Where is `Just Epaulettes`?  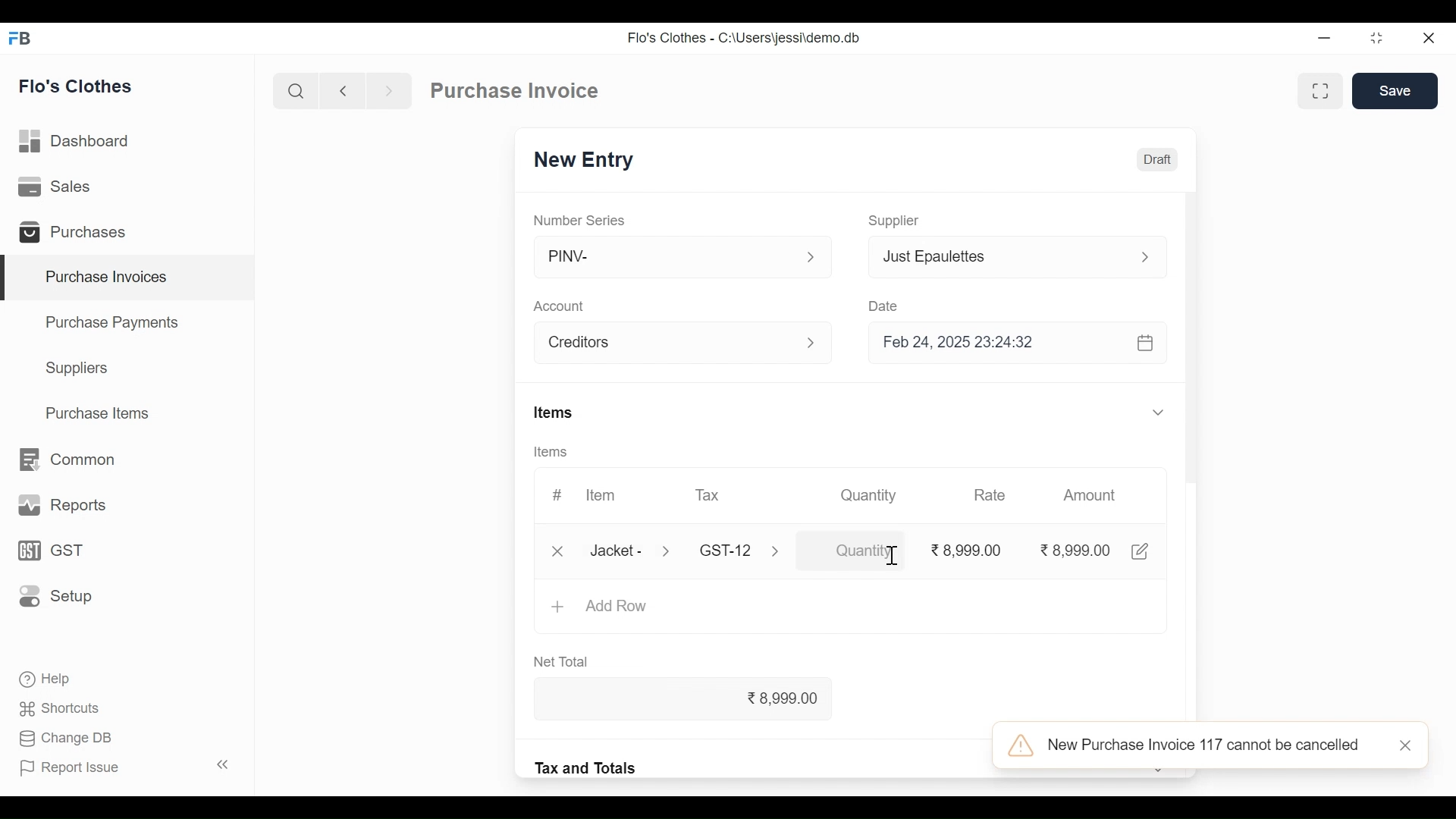 Just Epaulettes is located at coordinates (999, 256).